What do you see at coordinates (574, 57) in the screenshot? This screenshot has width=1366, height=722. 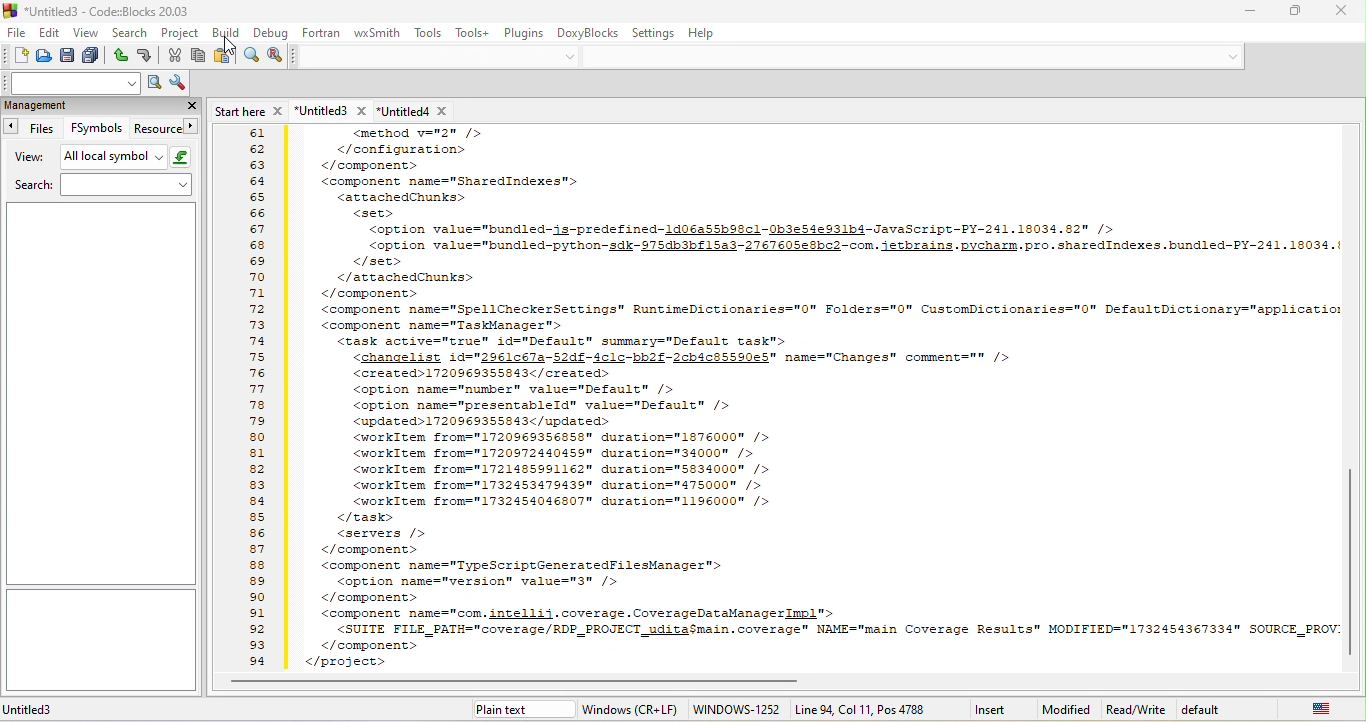 I see `dropdown` at bounding box center [574, 57].